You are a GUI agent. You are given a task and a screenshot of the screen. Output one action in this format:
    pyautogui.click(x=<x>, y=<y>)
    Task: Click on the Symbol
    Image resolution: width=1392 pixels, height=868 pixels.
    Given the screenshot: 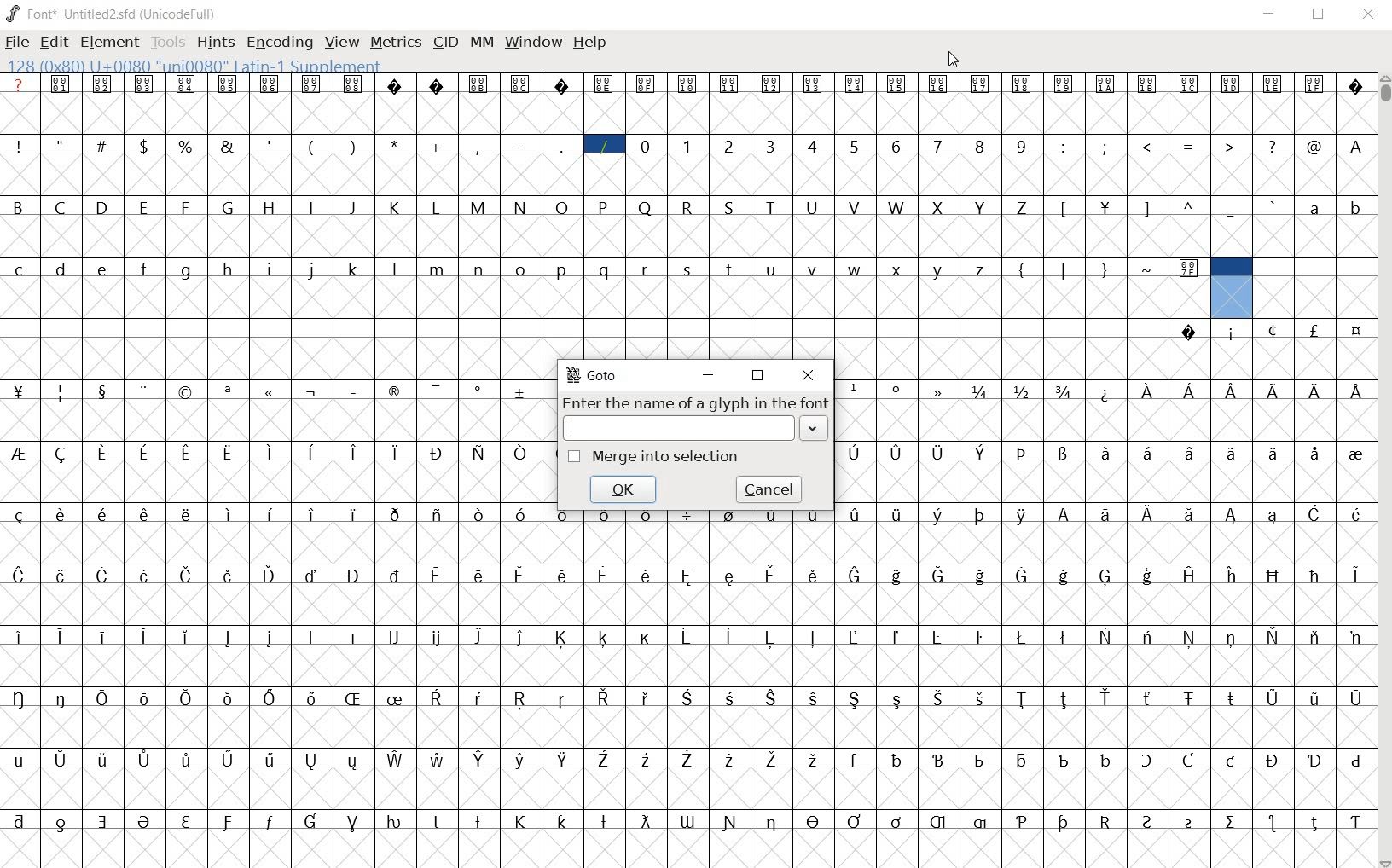 What is the action you would take?
    pyautogui.click(x=1272, y=84)
    